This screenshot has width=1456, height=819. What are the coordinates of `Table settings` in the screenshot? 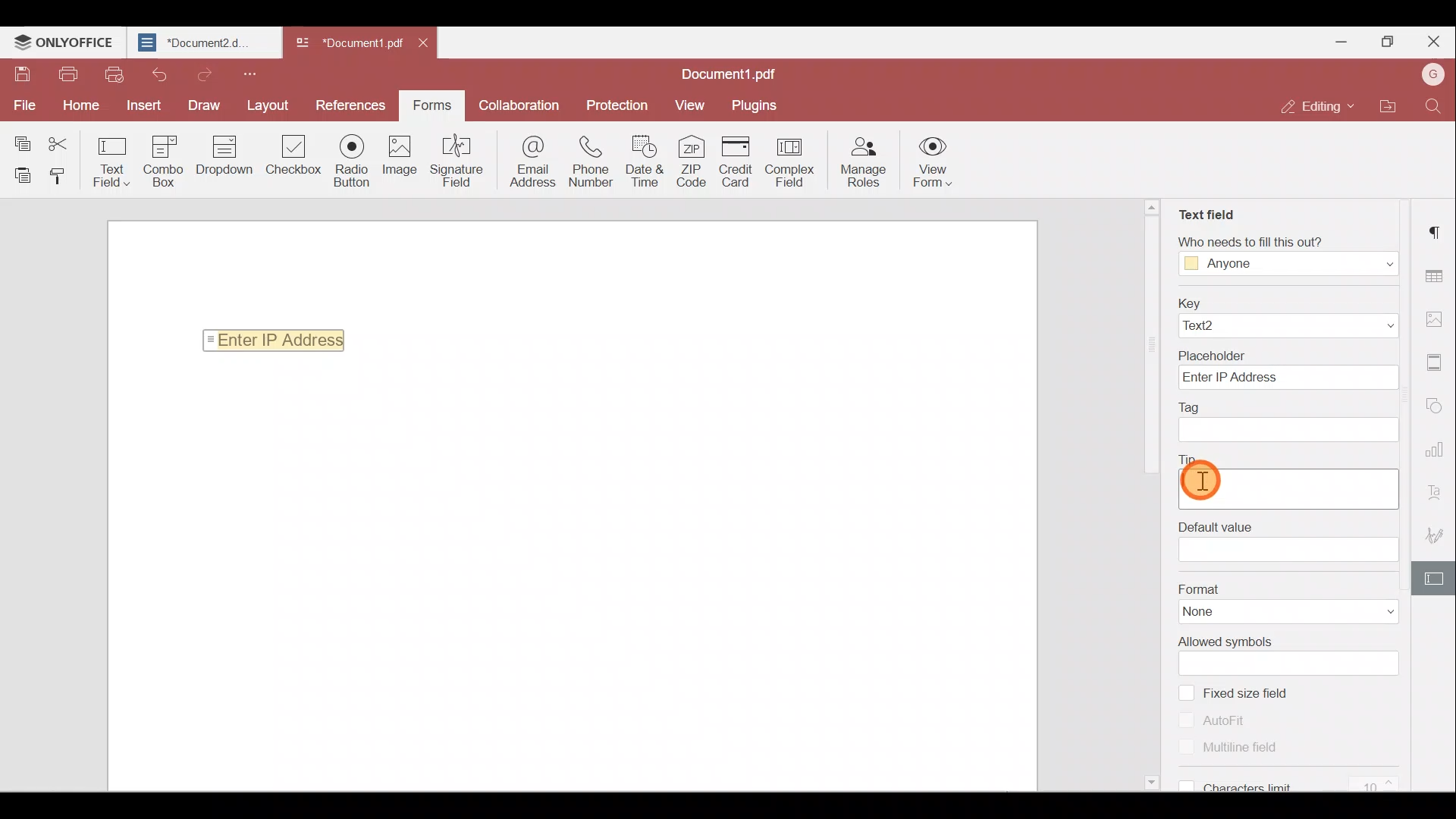 It's located at (1436, 271).